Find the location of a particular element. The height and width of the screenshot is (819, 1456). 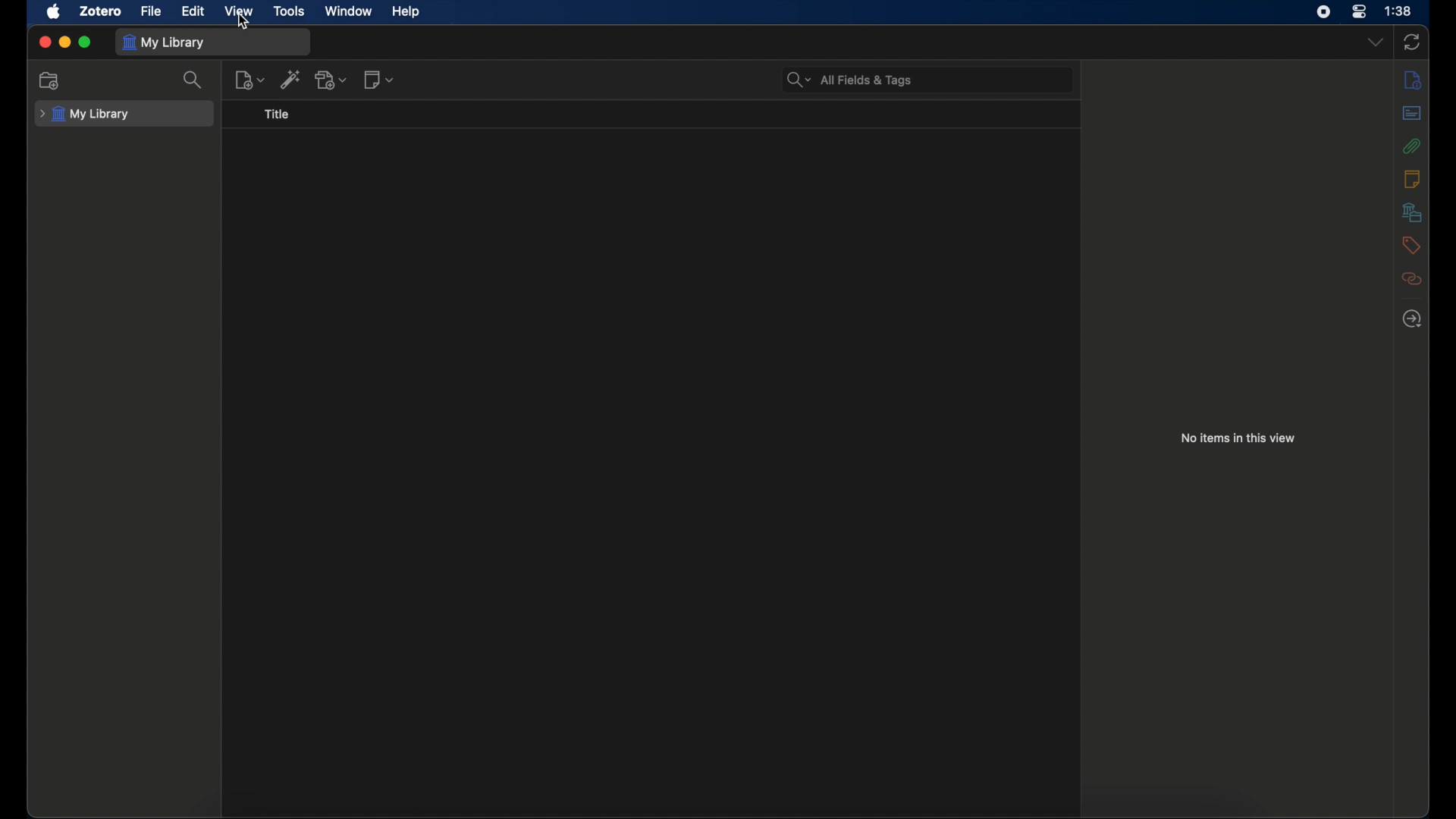

search is located at coordinates (194, 80).